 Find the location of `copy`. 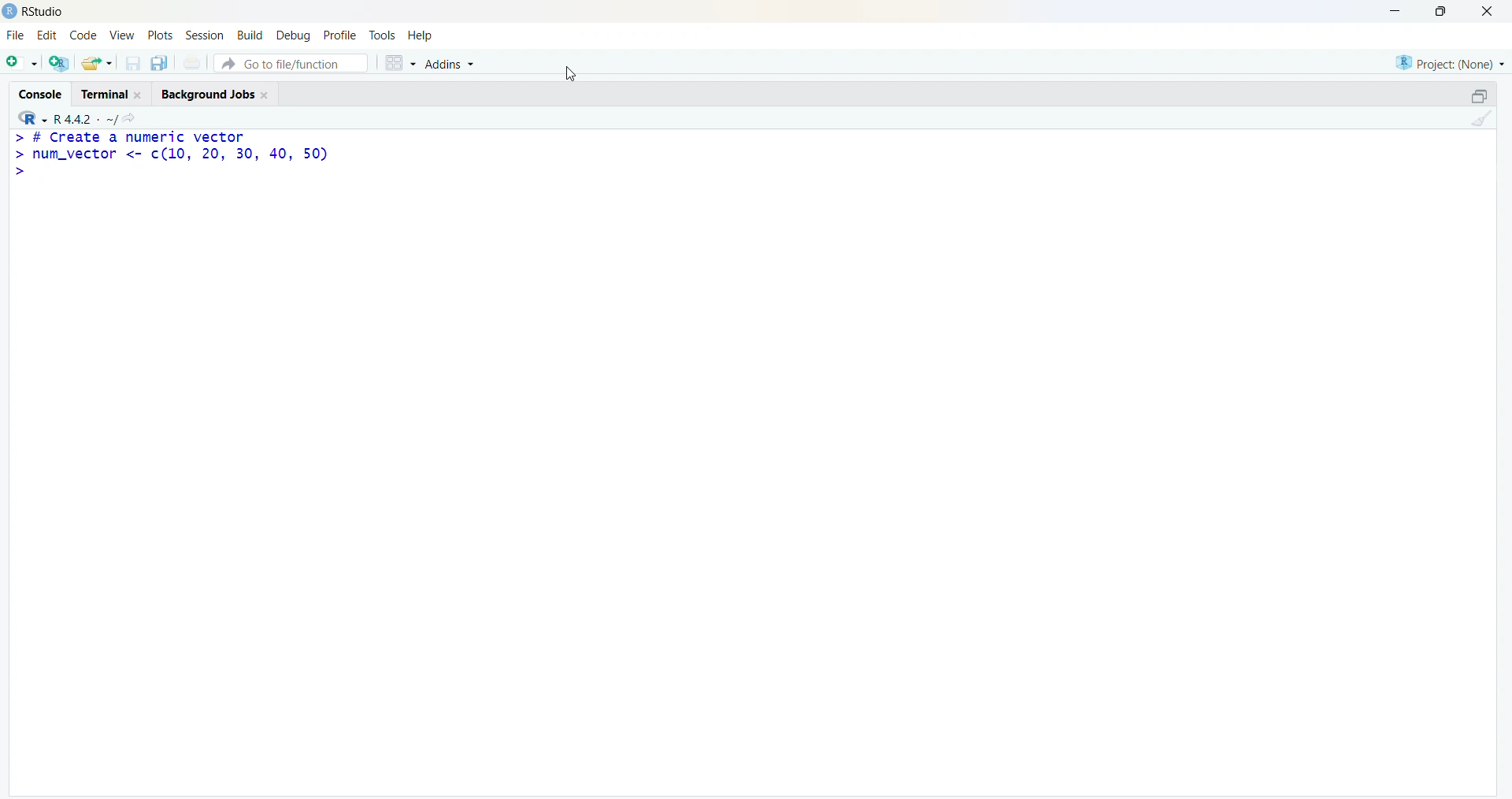

copy is located at coordinates (159, 63).